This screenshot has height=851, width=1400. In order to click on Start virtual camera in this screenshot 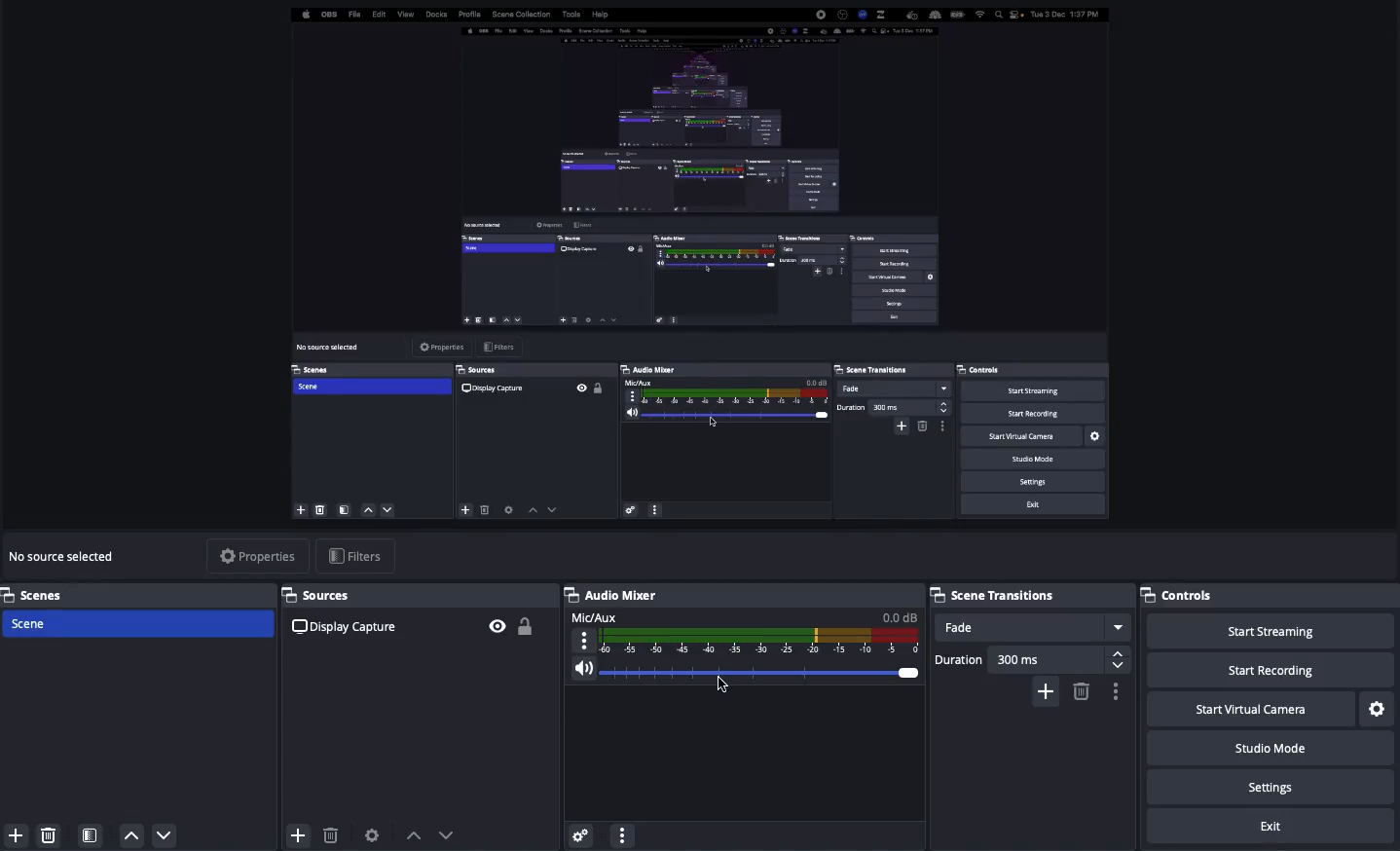, I will do `click(1248, 710)`.